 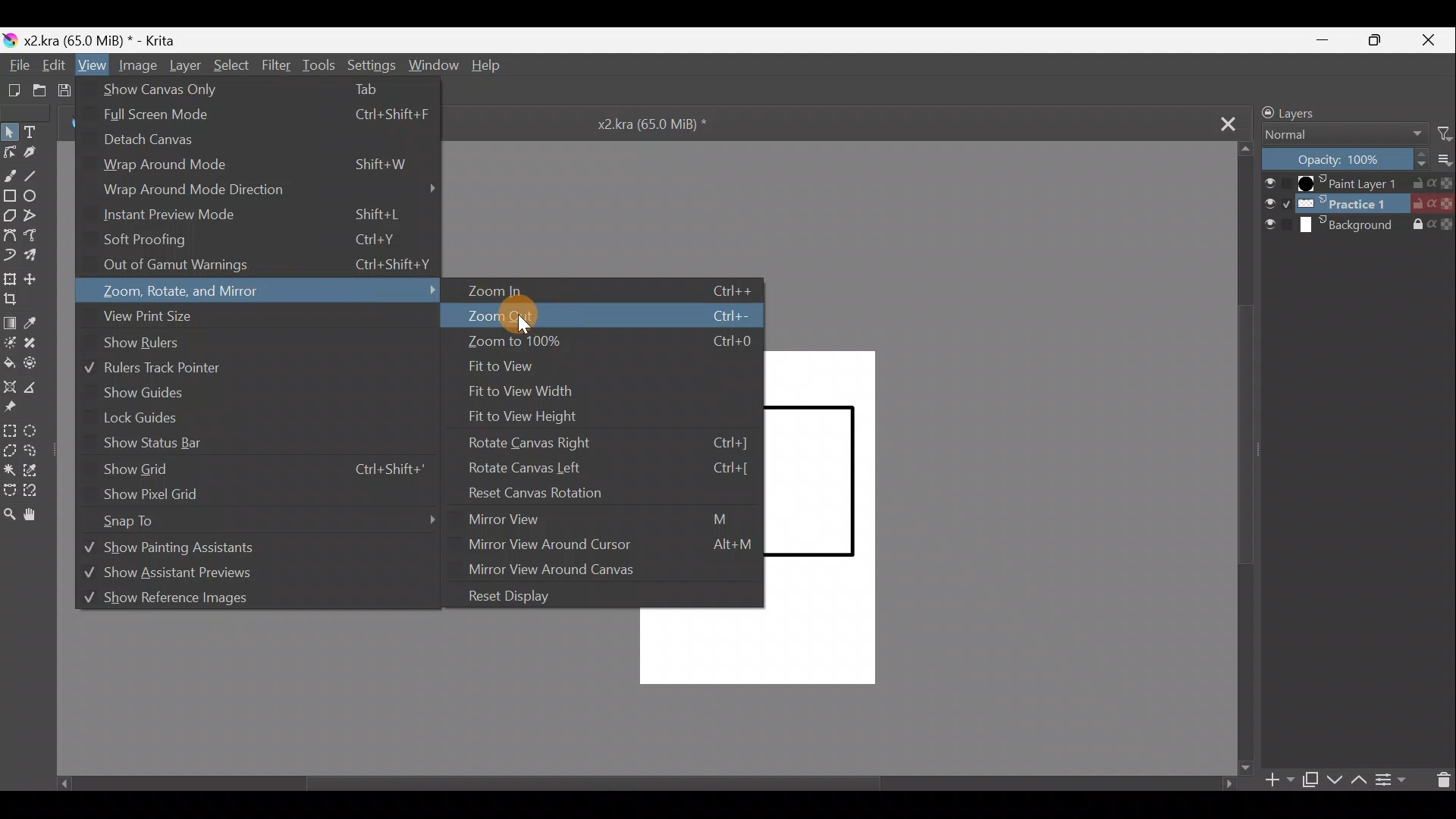 I want to click on Duplicate layer/mask, so click(x=1309, y=780).